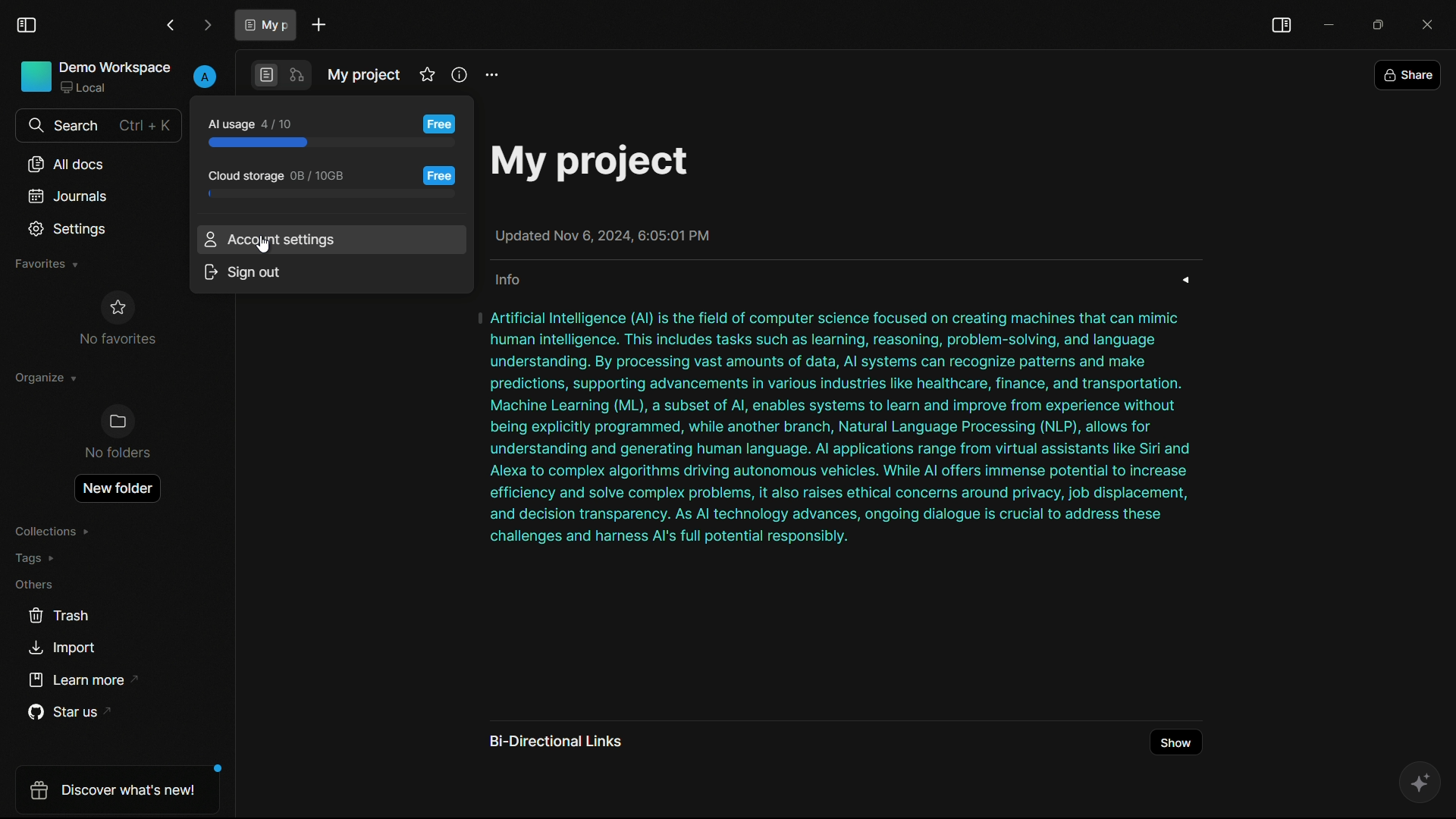  What do you see at coordinates (1178, 742) in the screenshot?
I see `show` at bounding box center [1178, 742].